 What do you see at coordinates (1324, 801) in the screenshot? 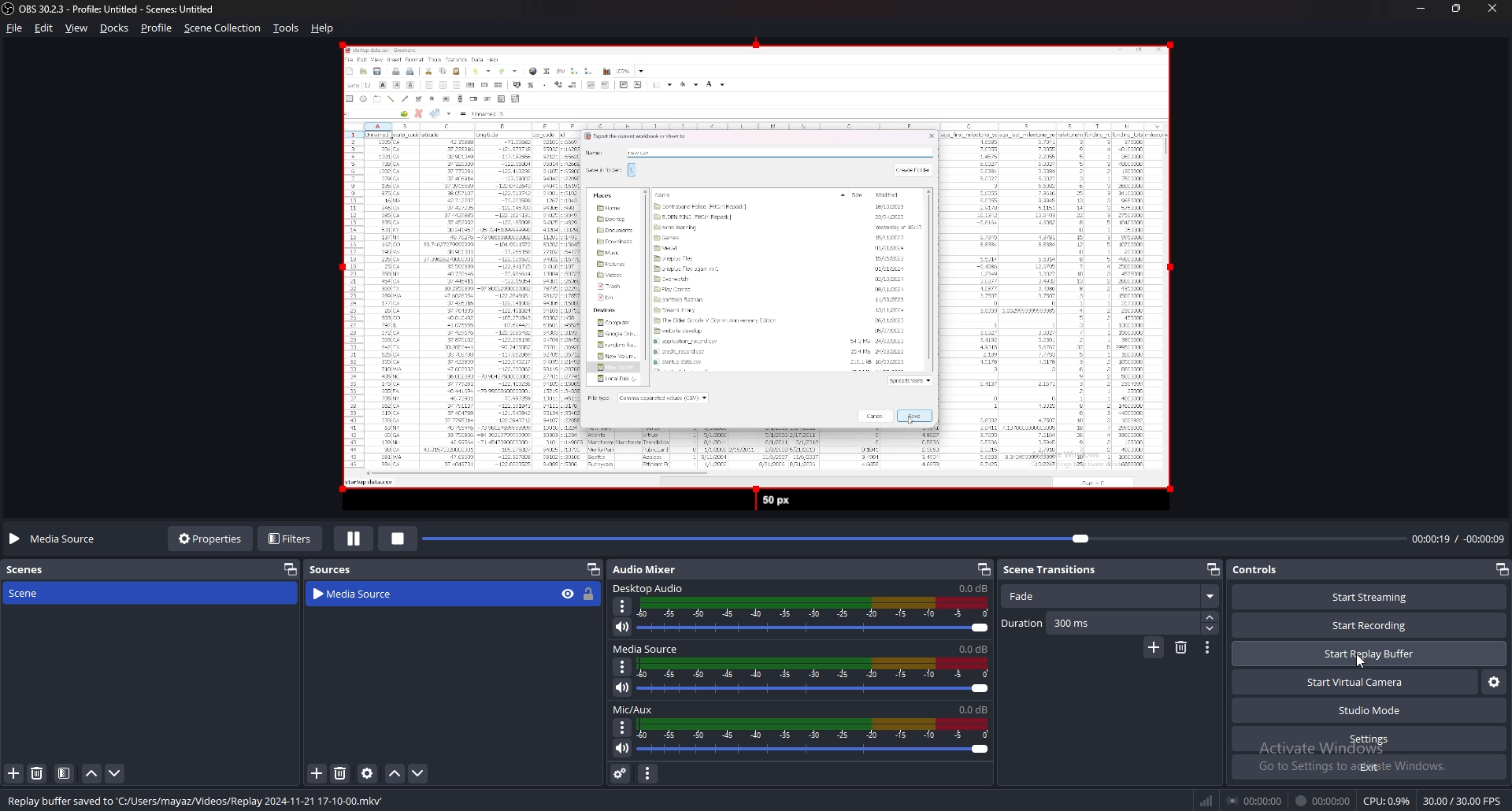
I see `00:00:00` at bounding box center [1324, 801].